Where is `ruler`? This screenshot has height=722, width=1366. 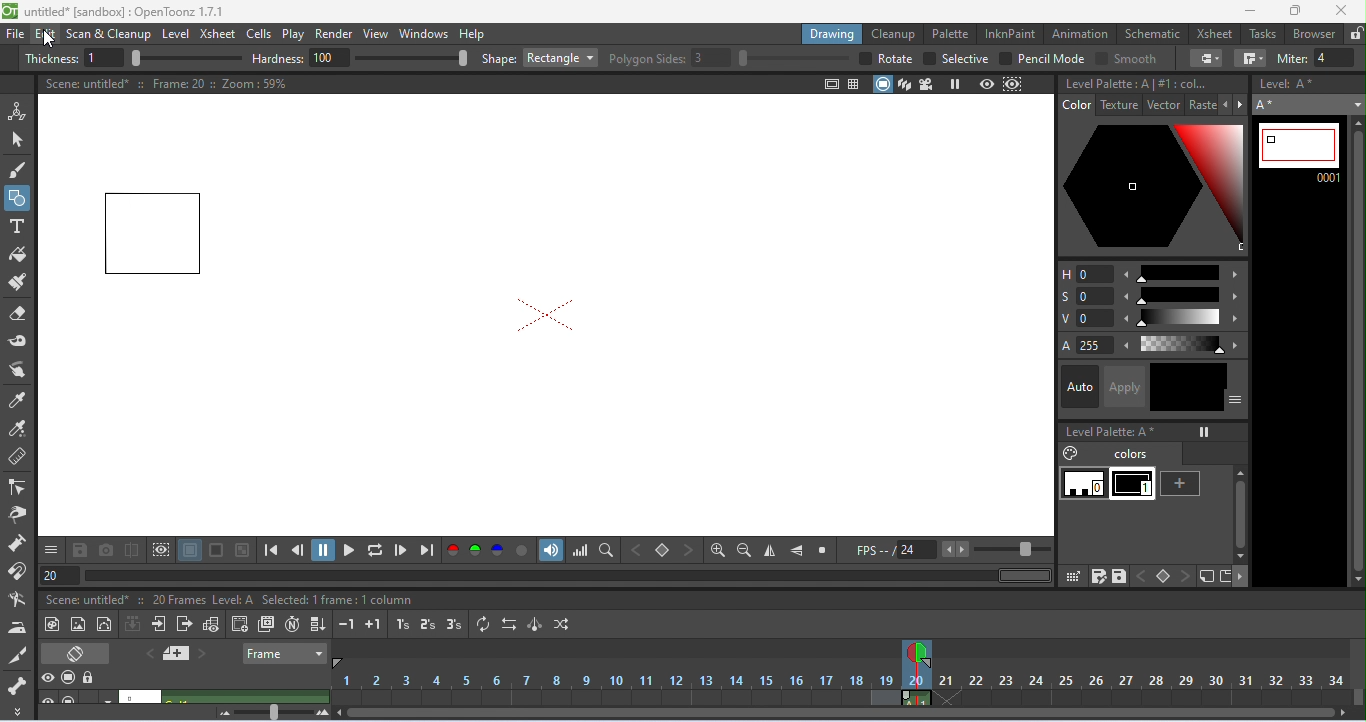 ruler is located at coordinates (18, 456).